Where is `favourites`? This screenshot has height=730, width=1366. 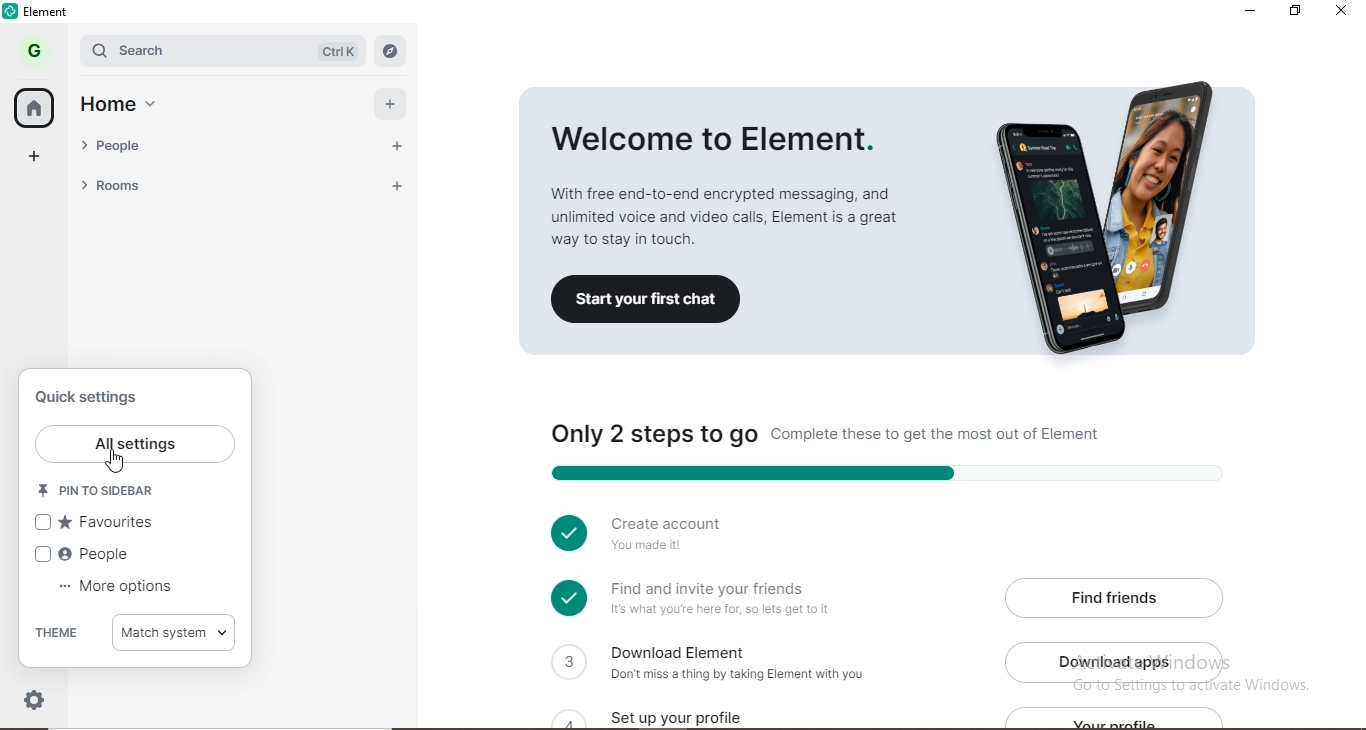 favourites is located at coordinates (99, 524).